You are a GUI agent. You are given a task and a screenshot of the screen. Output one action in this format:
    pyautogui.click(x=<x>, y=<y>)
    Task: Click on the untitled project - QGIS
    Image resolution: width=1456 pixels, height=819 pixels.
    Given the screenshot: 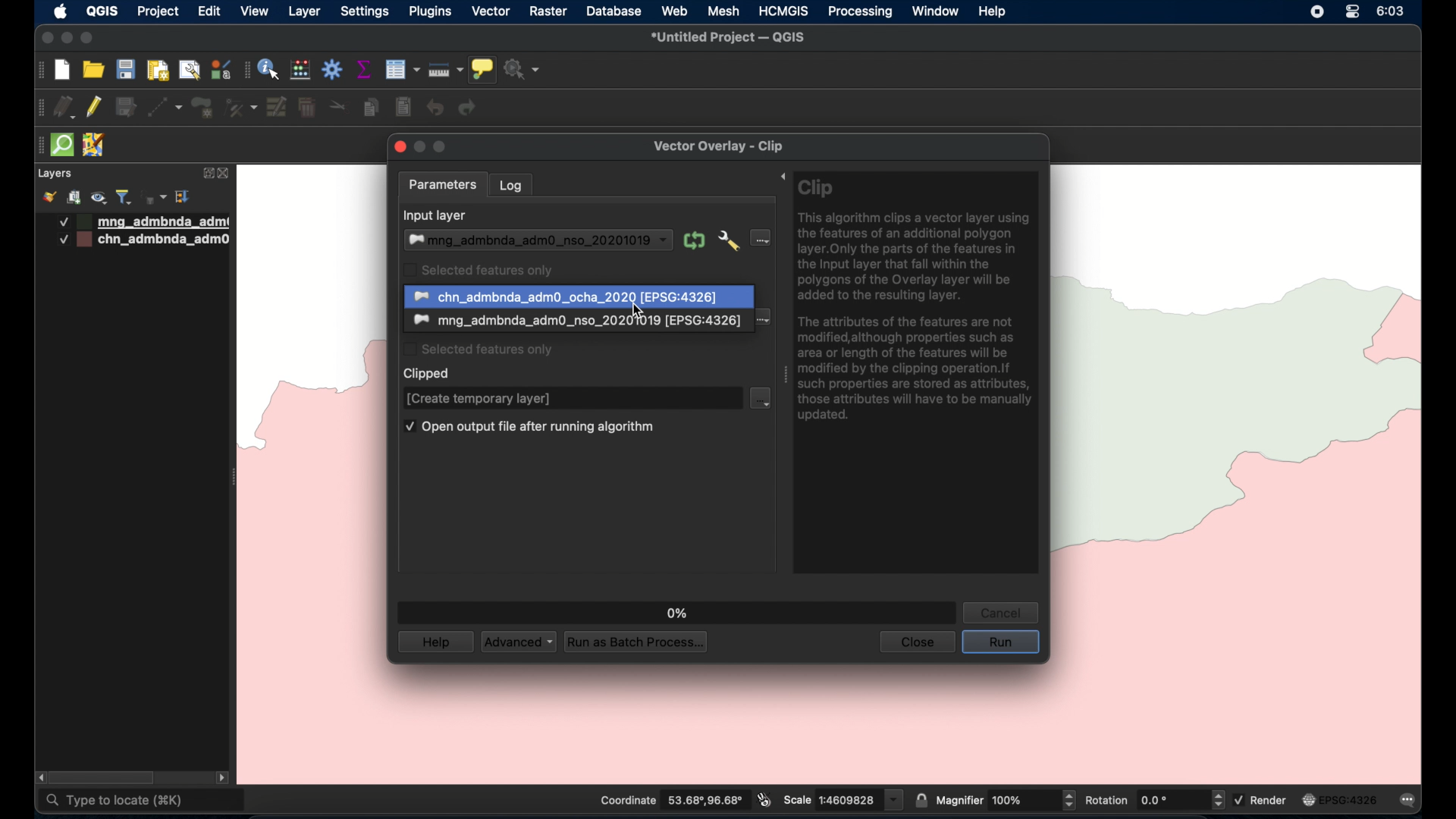 What is the action you would take?
    pyautogui.click(x=727, y=39)
    